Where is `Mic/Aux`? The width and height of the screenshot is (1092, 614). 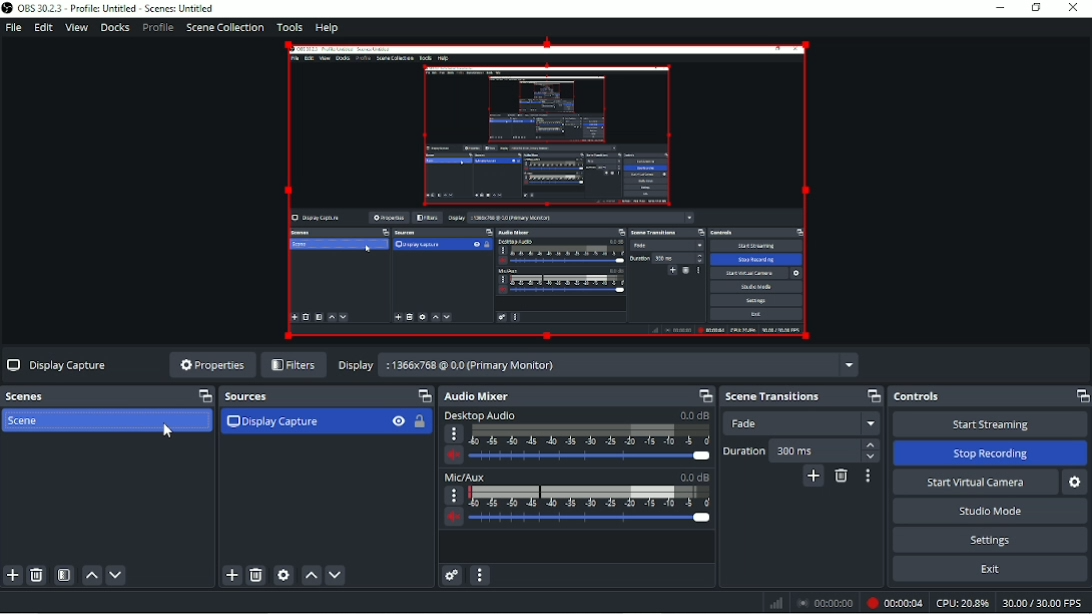
Mic/Aux is located at coordinates (466, 478).